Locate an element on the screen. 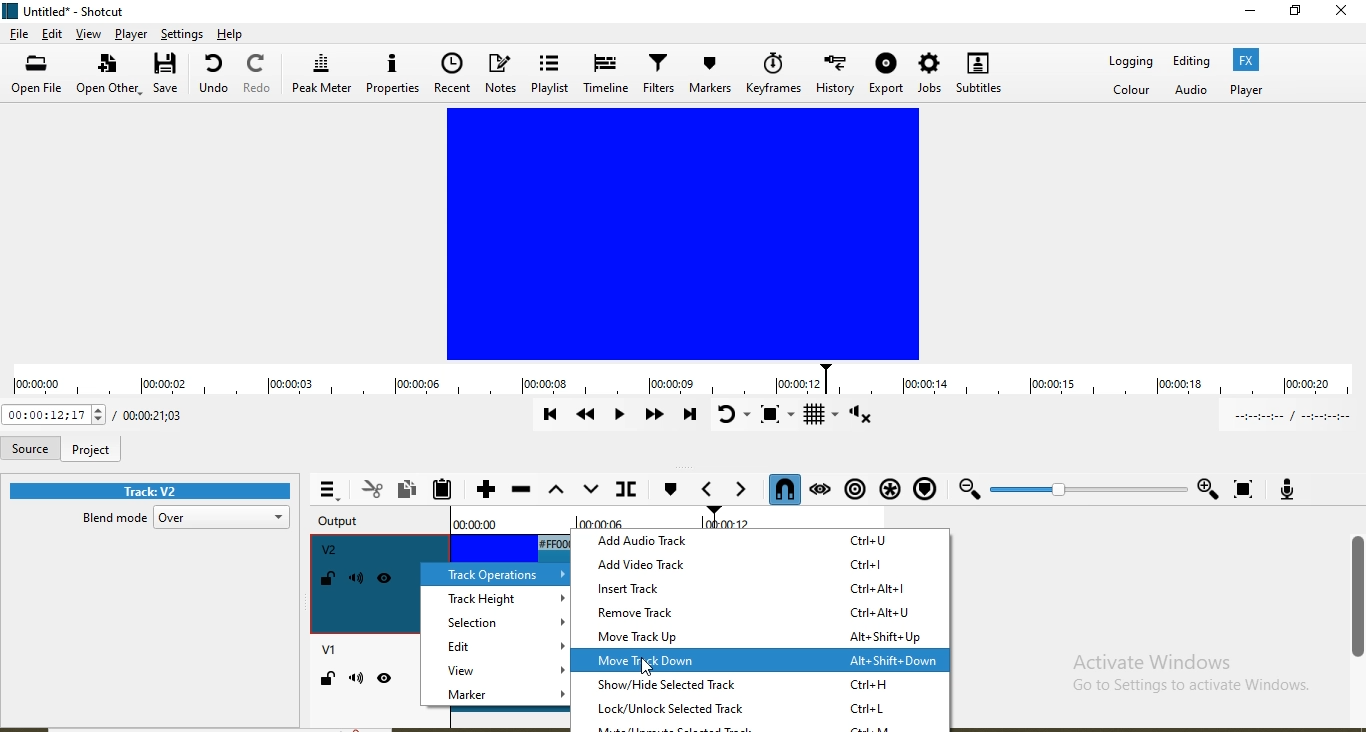 The image size is (1366, 732). create/edit marker is located at coordinates (670, 491).